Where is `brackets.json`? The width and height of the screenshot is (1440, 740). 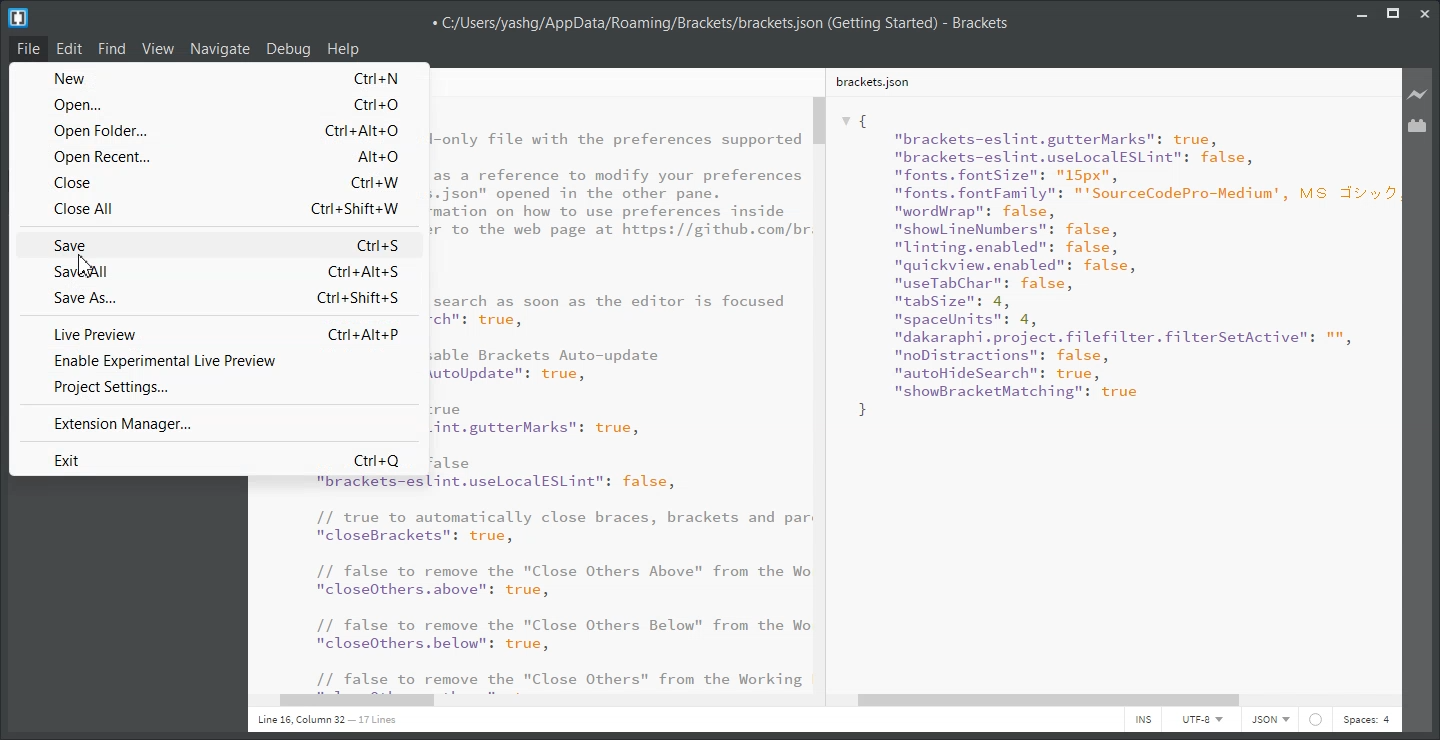
brackets.json is located at coordinates (871, 81).